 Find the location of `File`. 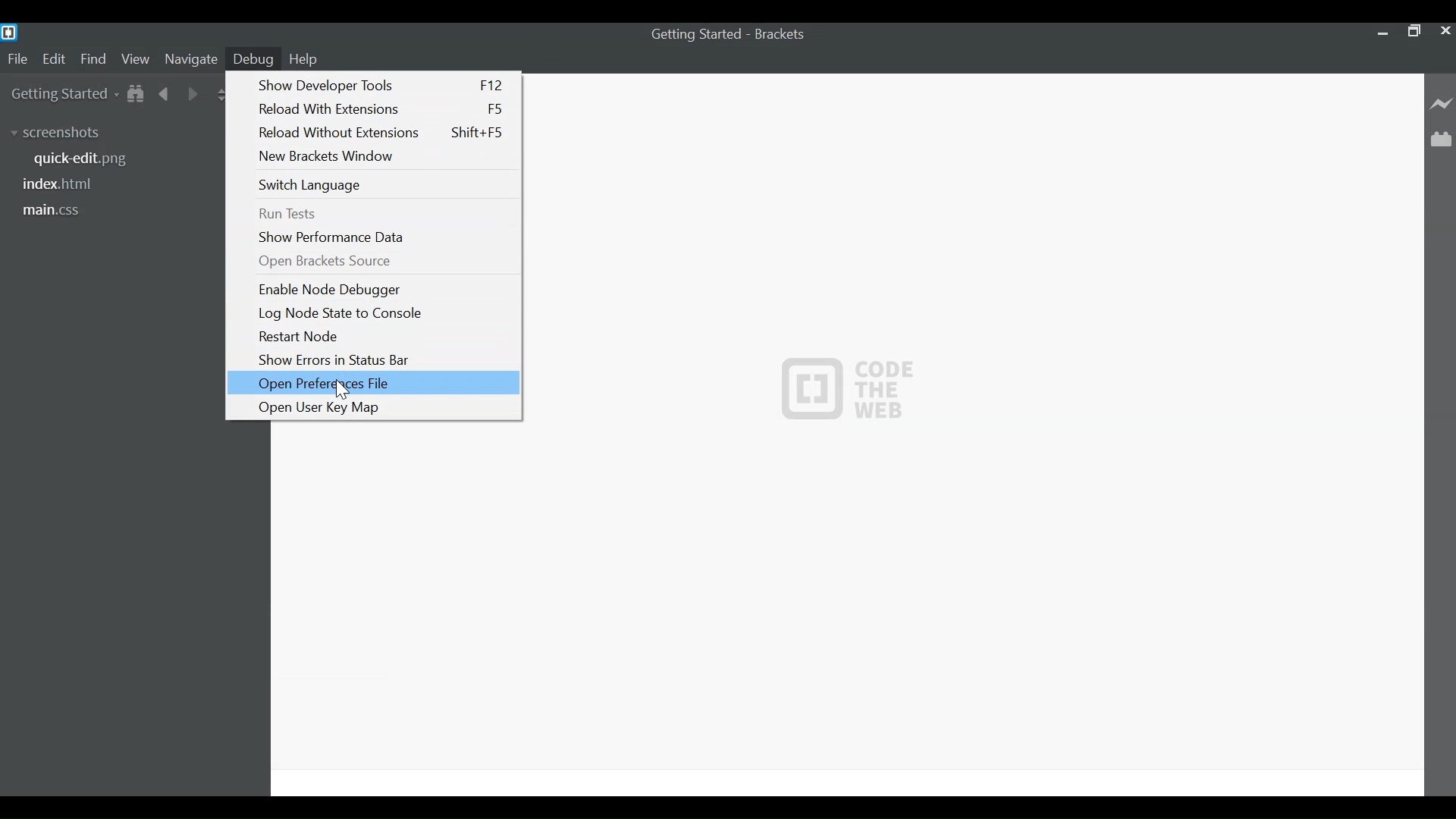

File is located at coordinates (17, 59).